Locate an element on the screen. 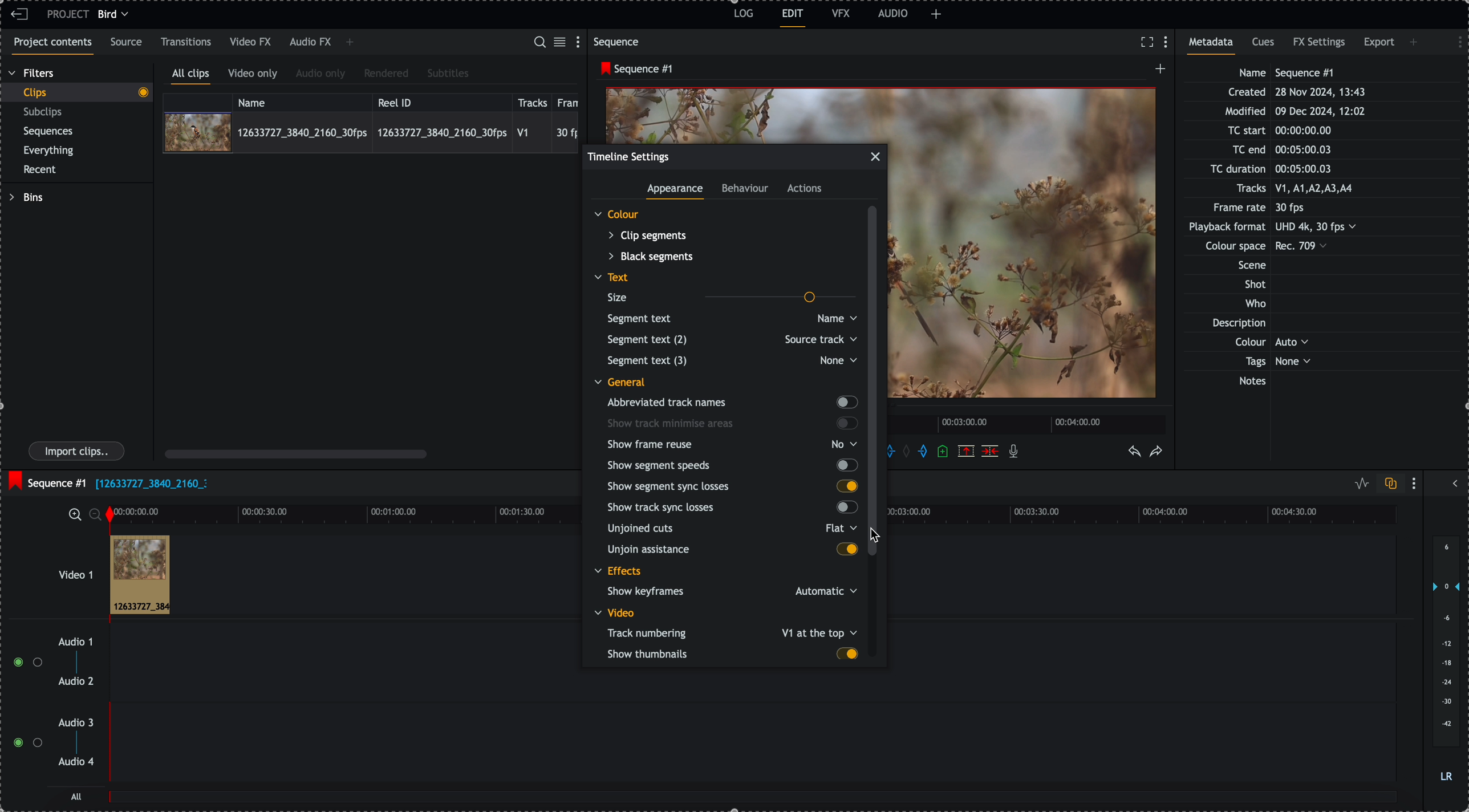  audio 2 is located at coordinates (74, 682).